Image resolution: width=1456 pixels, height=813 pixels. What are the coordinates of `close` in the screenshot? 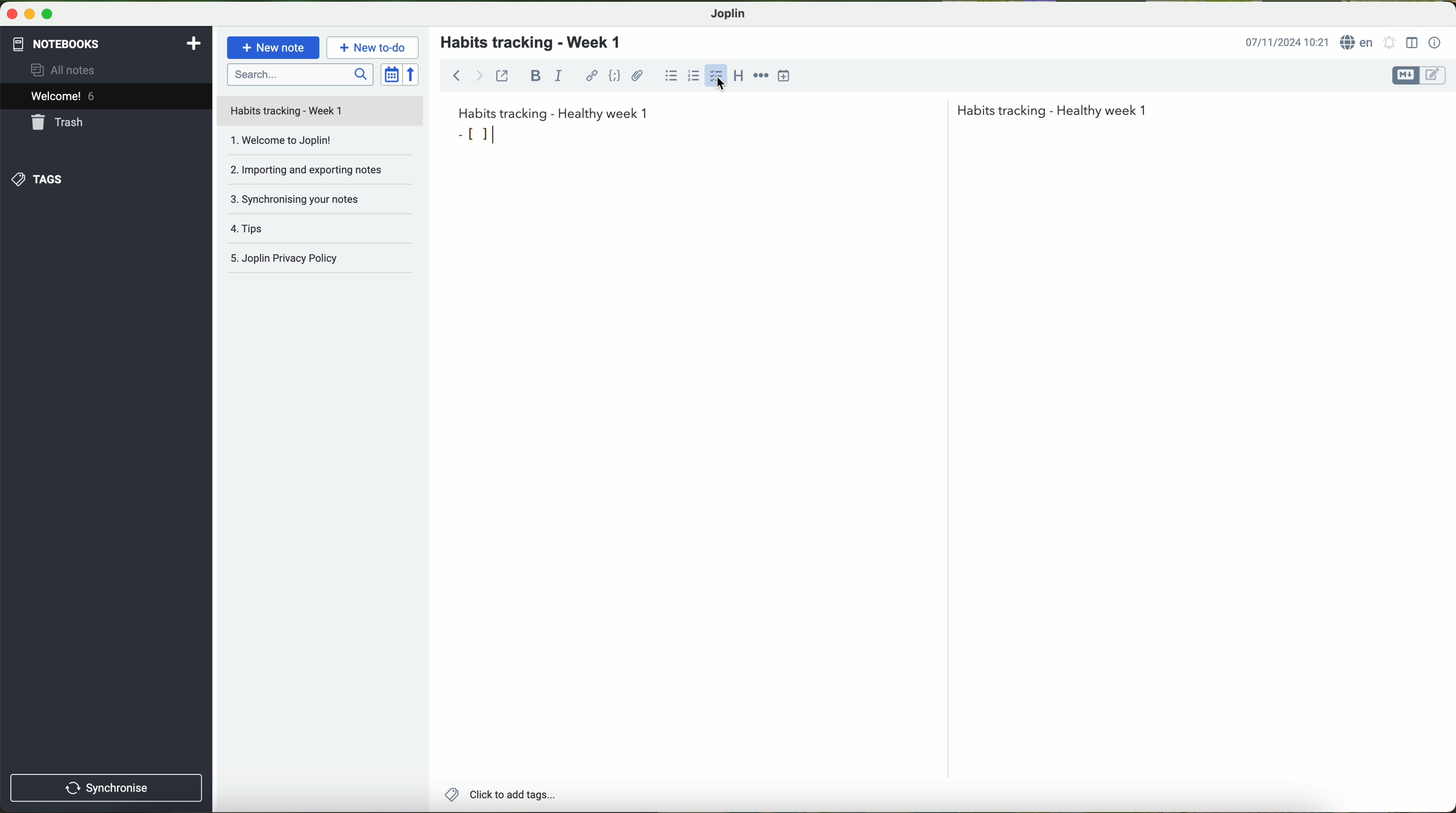 It's located at (9, 12).